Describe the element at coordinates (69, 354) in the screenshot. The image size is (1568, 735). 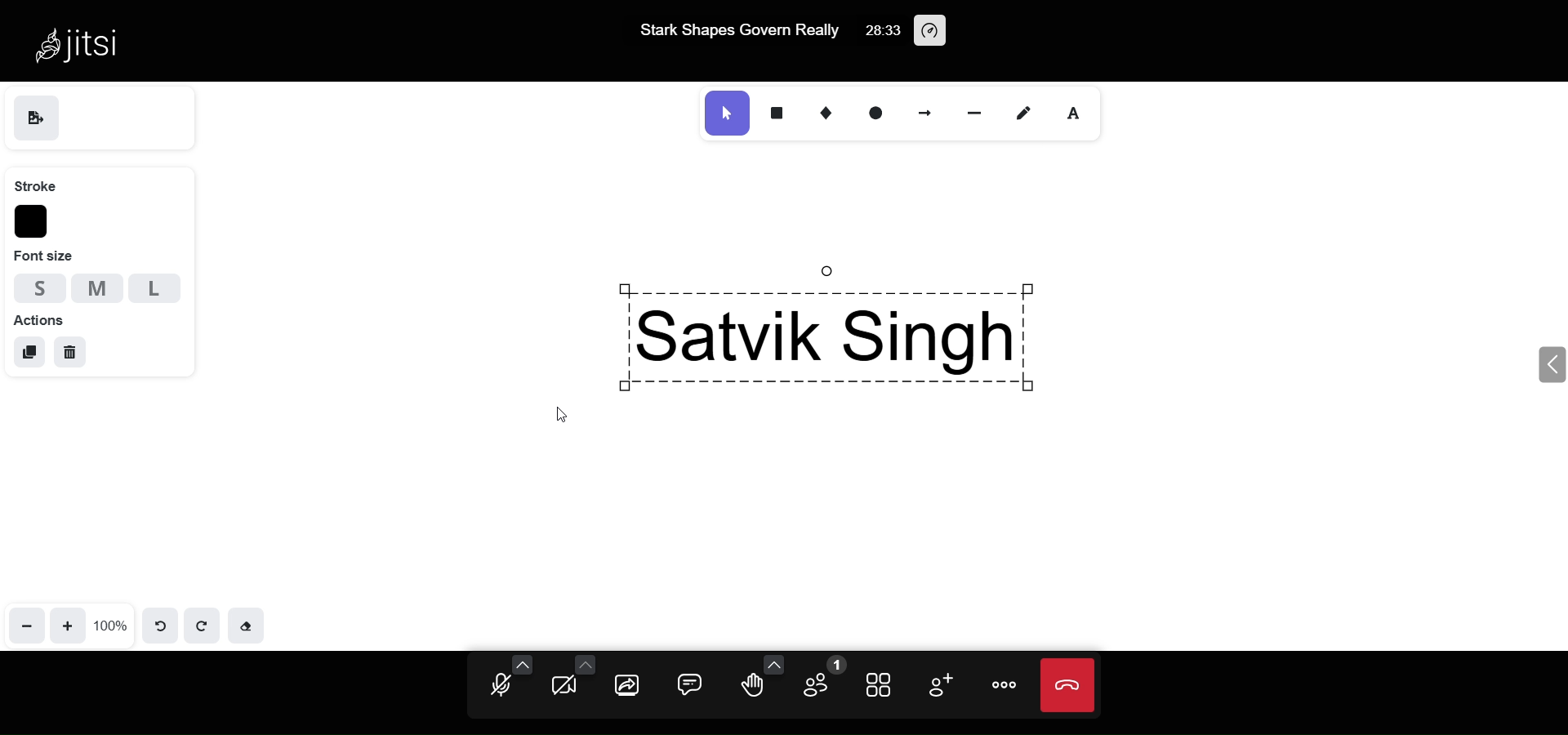
I see `delete` at that location.